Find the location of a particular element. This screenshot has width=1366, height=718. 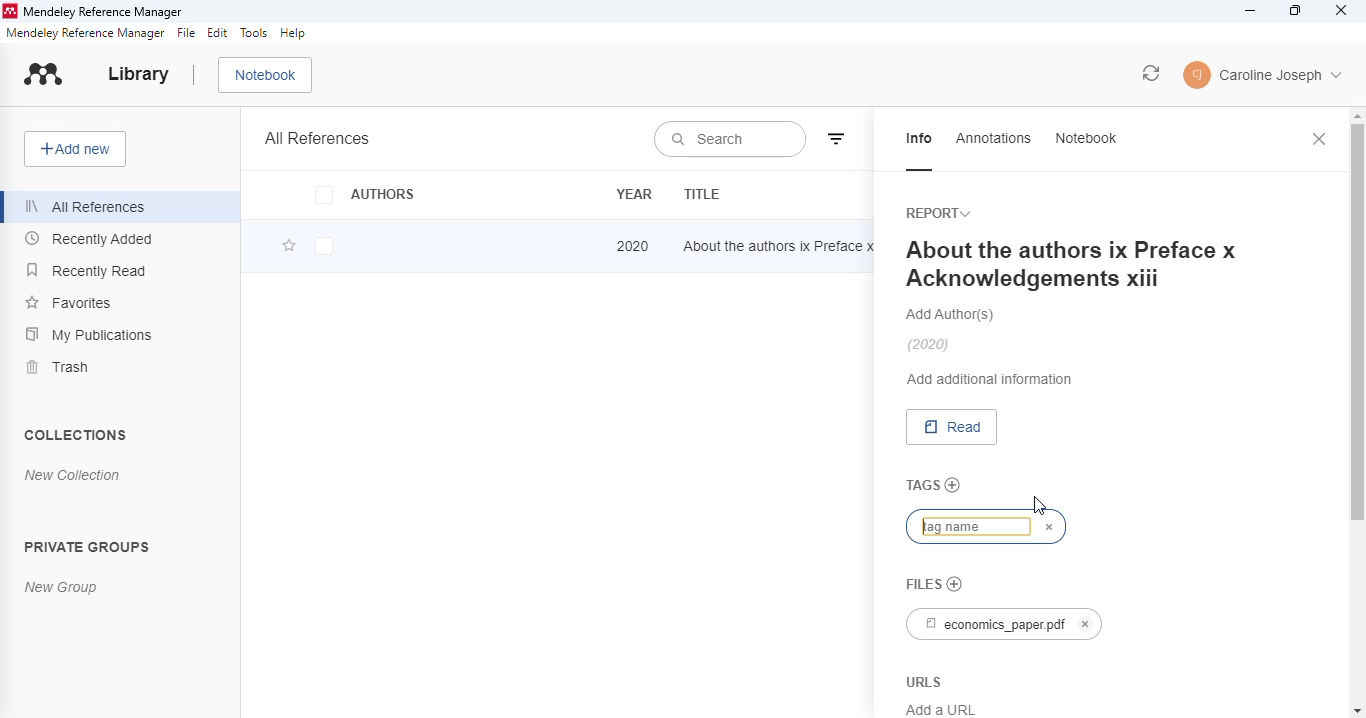

title is located at coordinates (701, 194).